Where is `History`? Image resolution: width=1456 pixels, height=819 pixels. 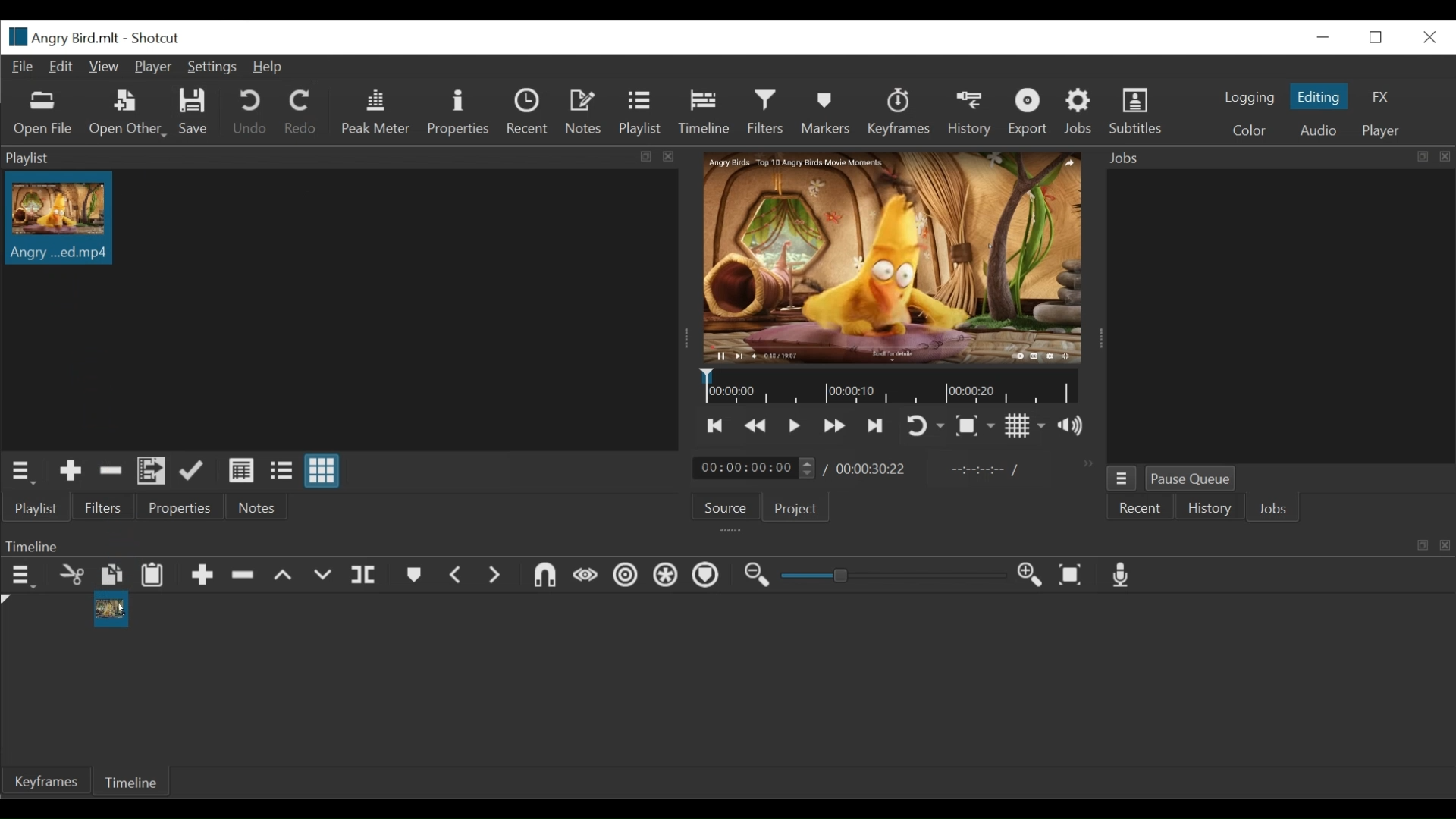 History is located at coordinates (1207, 508).